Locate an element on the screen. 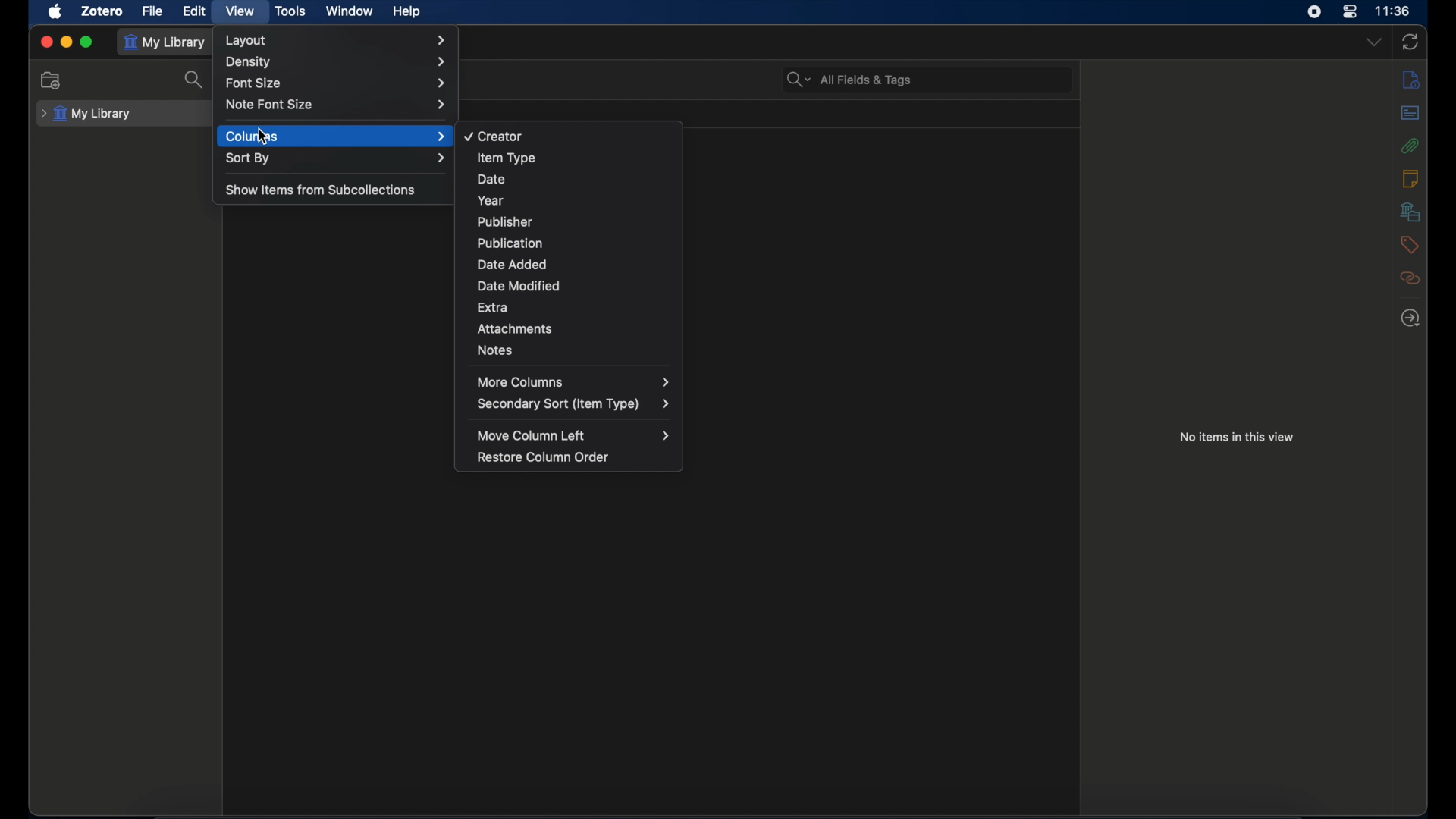 The width and height of the screenshot is (1456, 819). search is located at coordinates (194, 81).